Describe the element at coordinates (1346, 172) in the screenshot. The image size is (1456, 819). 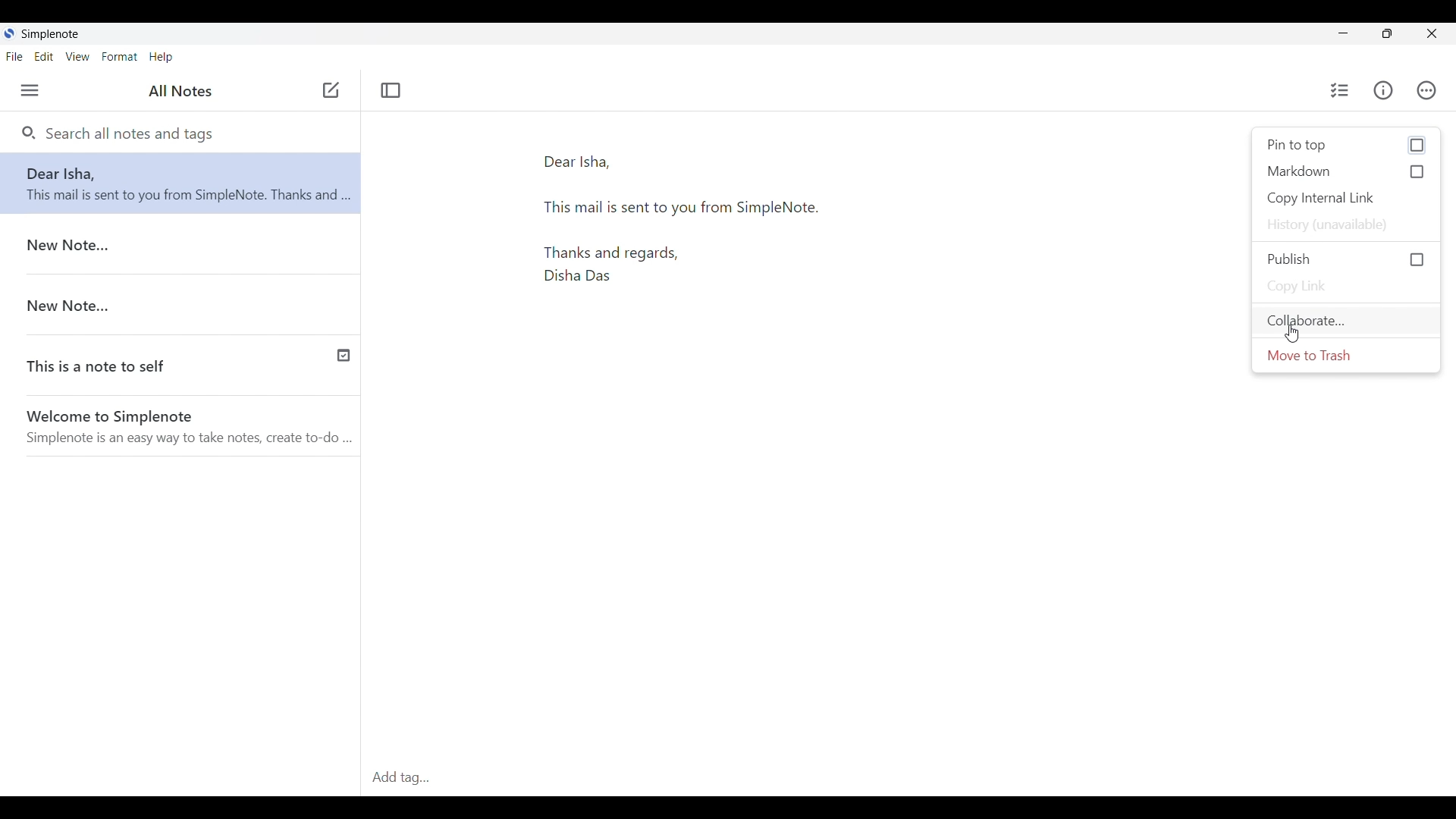
I see `Markdown` at that location.